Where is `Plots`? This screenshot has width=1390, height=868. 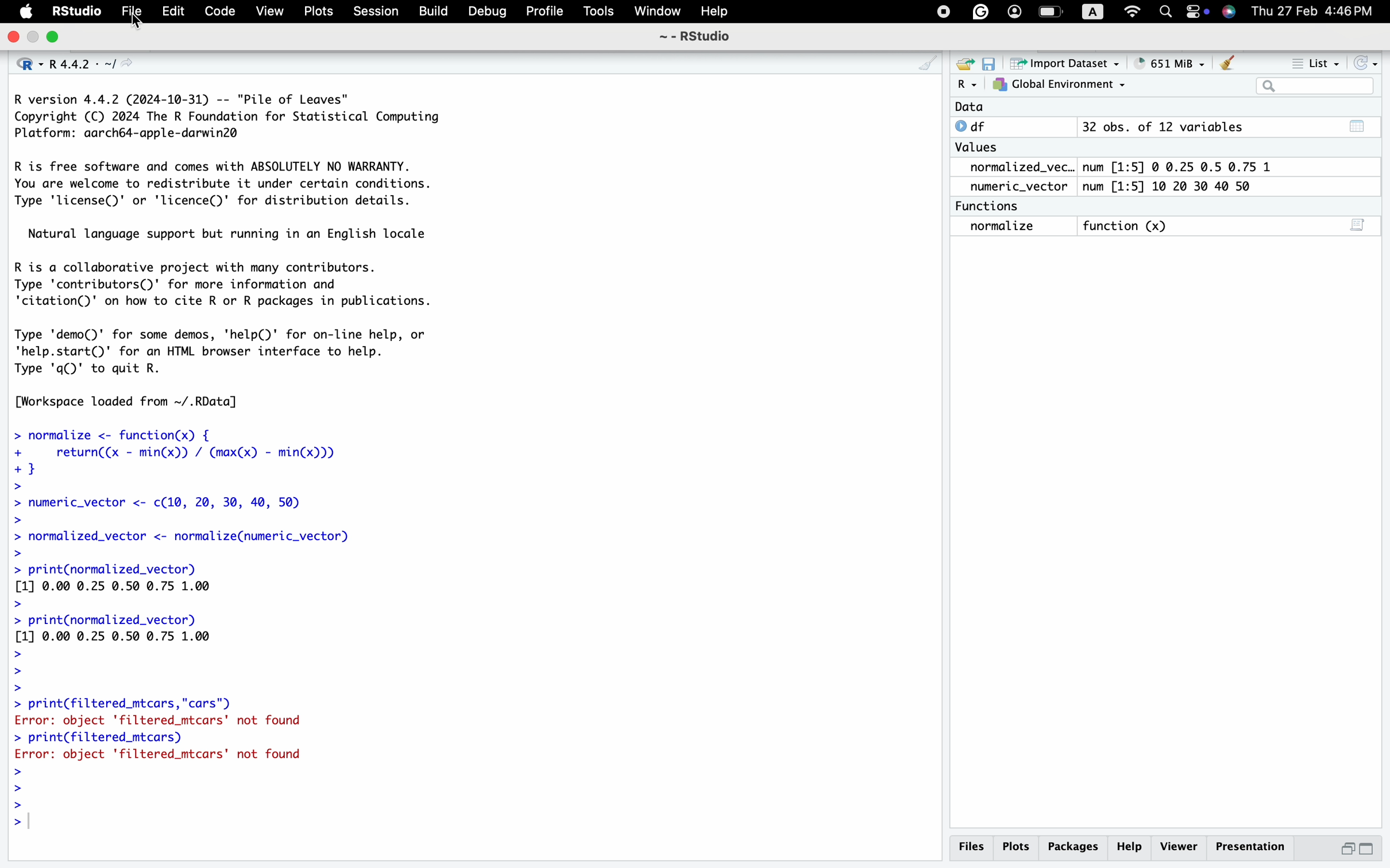 Plots is located at coordinates (316, 10).